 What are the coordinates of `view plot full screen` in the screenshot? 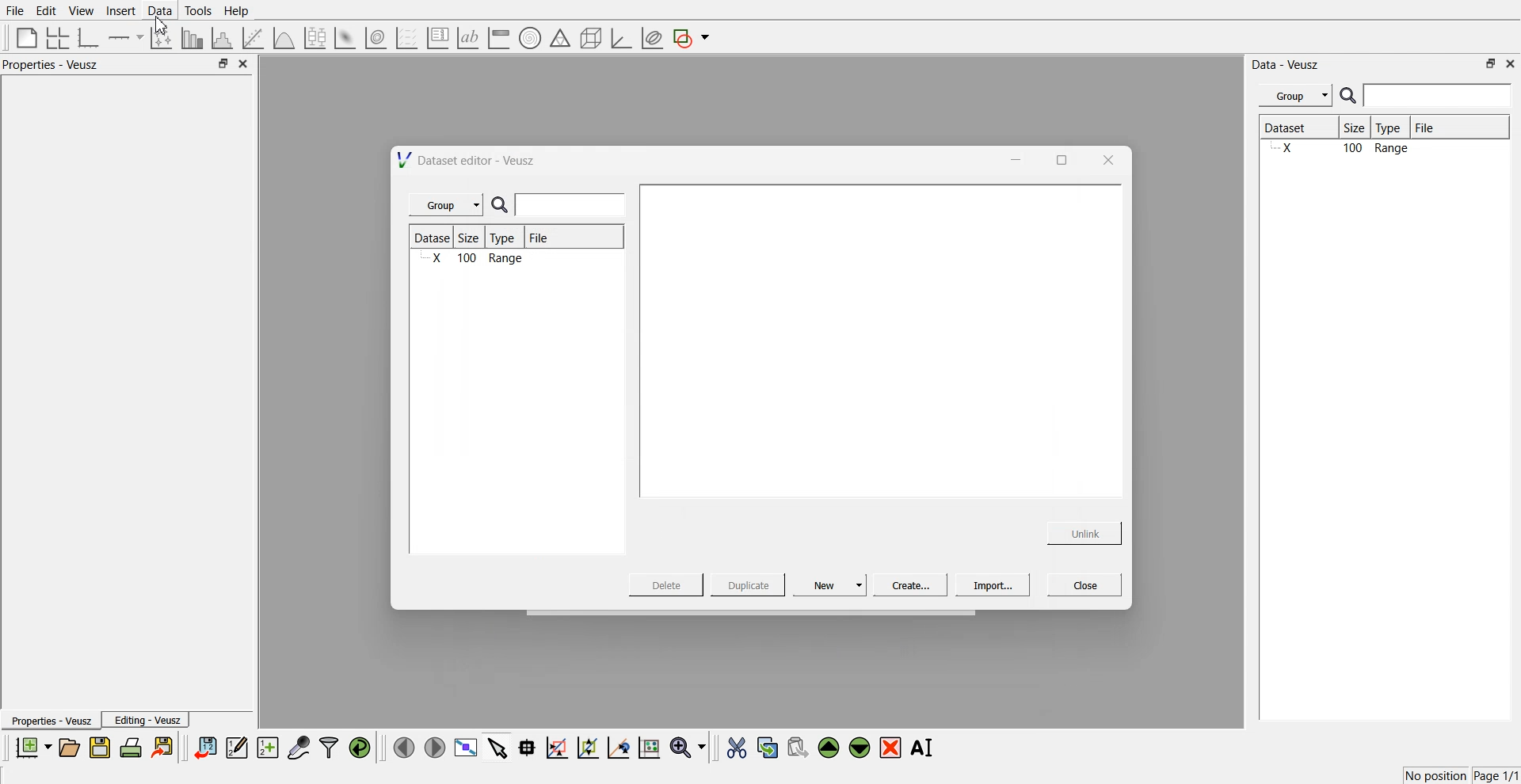 It's located at (465, 748).